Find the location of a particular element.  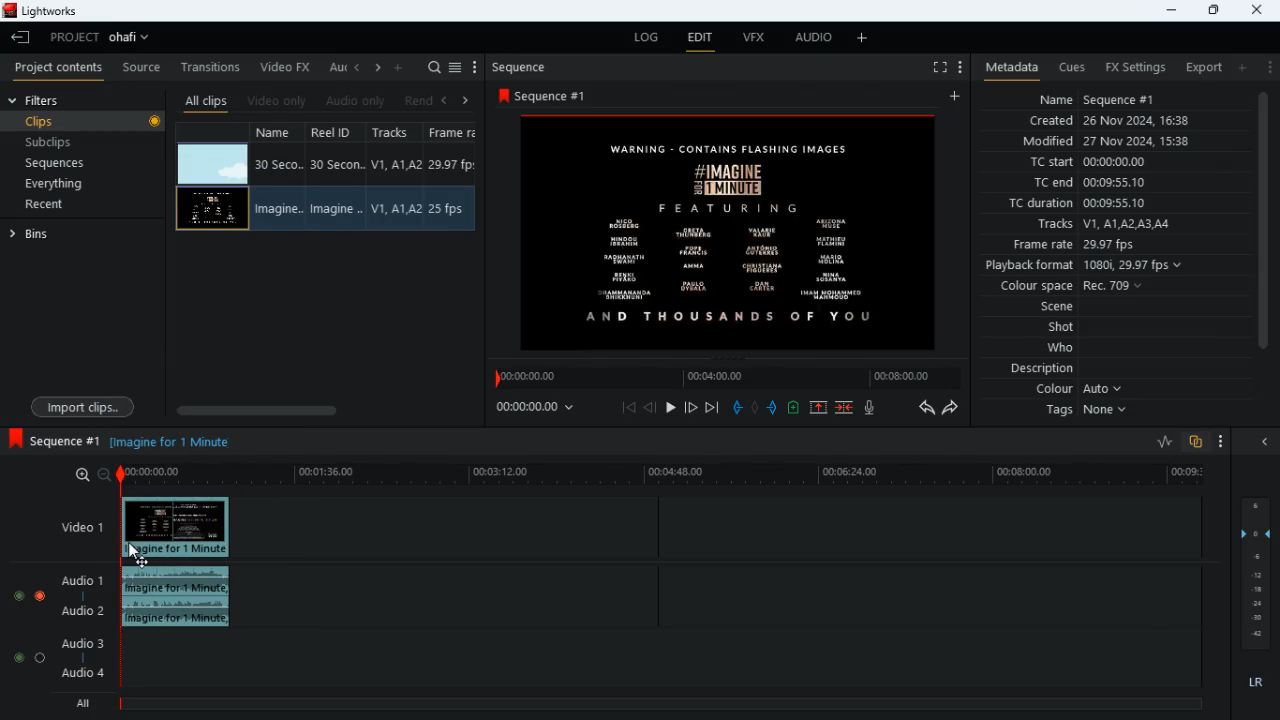

more is located at coordinates (861, 39).